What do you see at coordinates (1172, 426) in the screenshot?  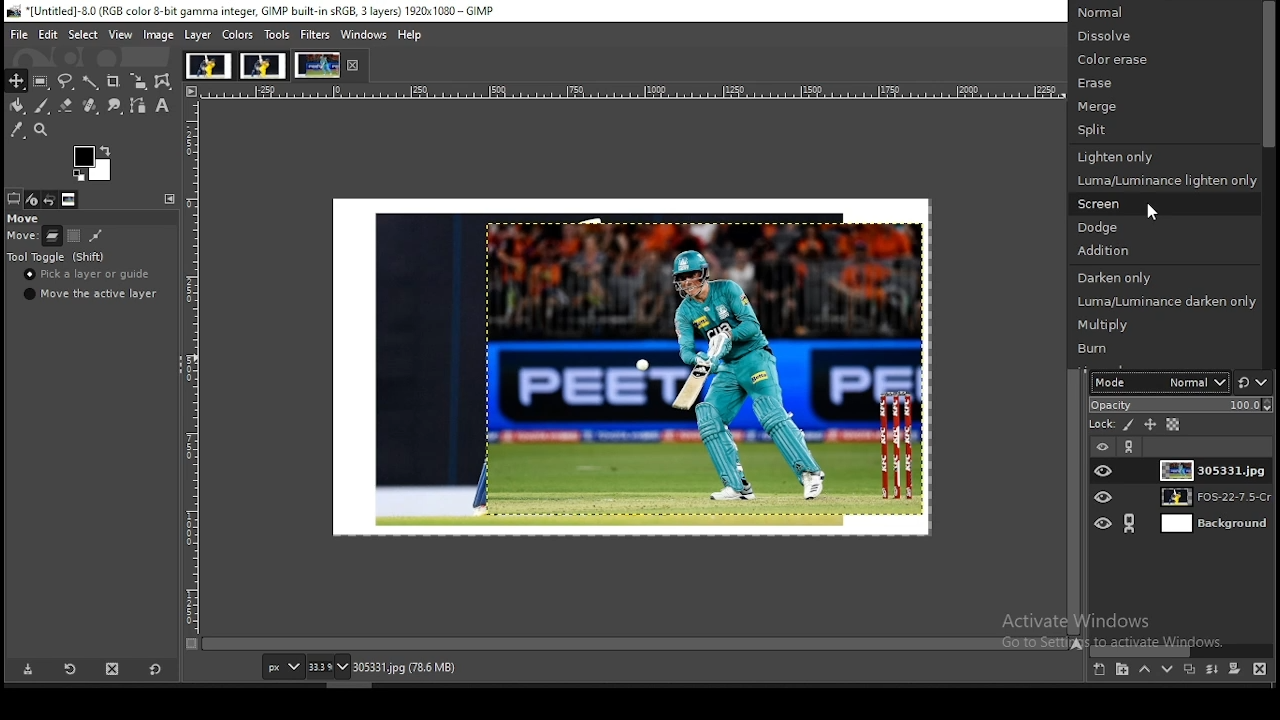 I see `lock alpha channel` at bounding box center [1172, 426].